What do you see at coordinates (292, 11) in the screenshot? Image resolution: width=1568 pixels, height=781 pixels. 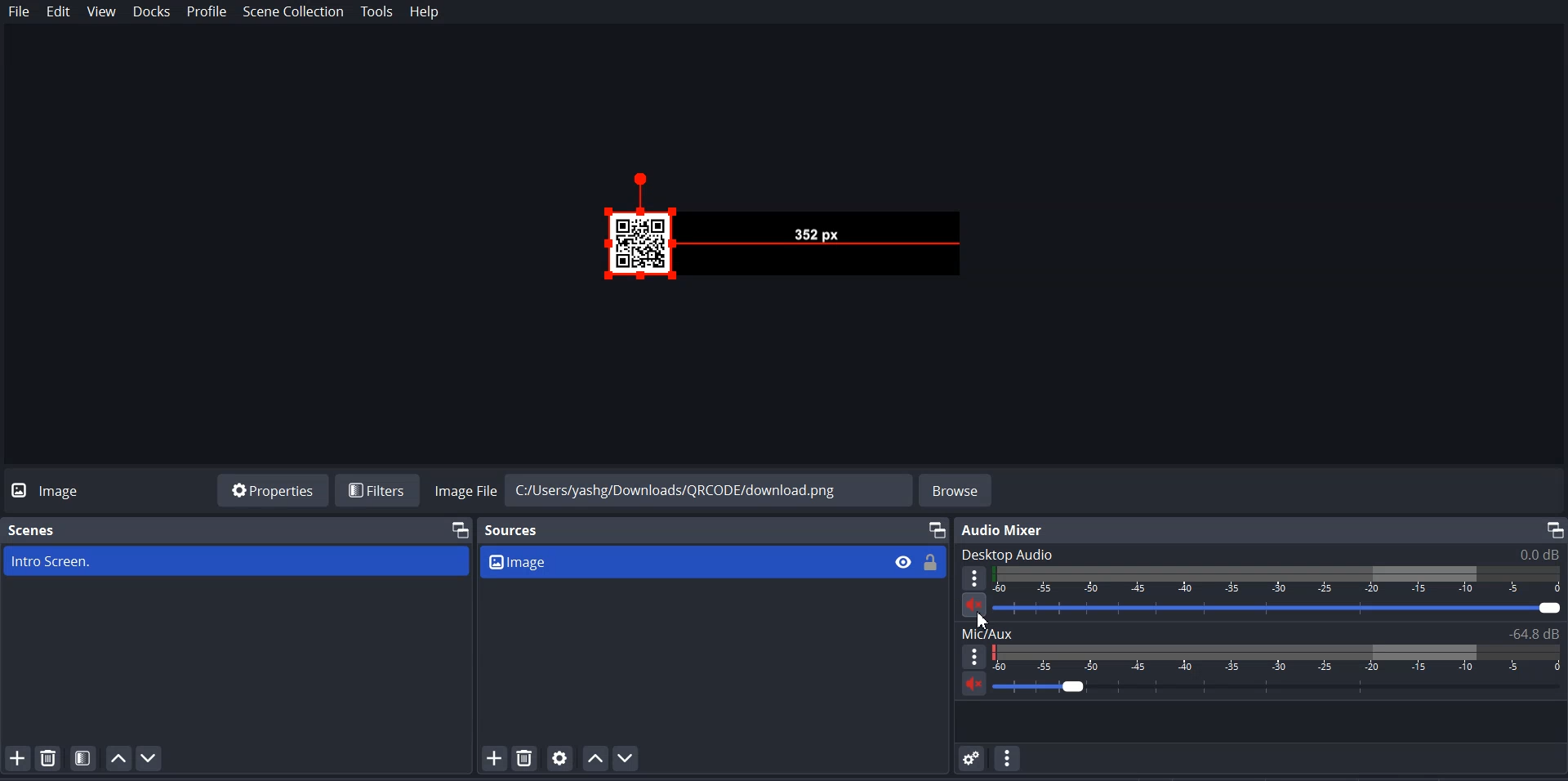 I see `Scene Collection` at bounding box center [292, 11].